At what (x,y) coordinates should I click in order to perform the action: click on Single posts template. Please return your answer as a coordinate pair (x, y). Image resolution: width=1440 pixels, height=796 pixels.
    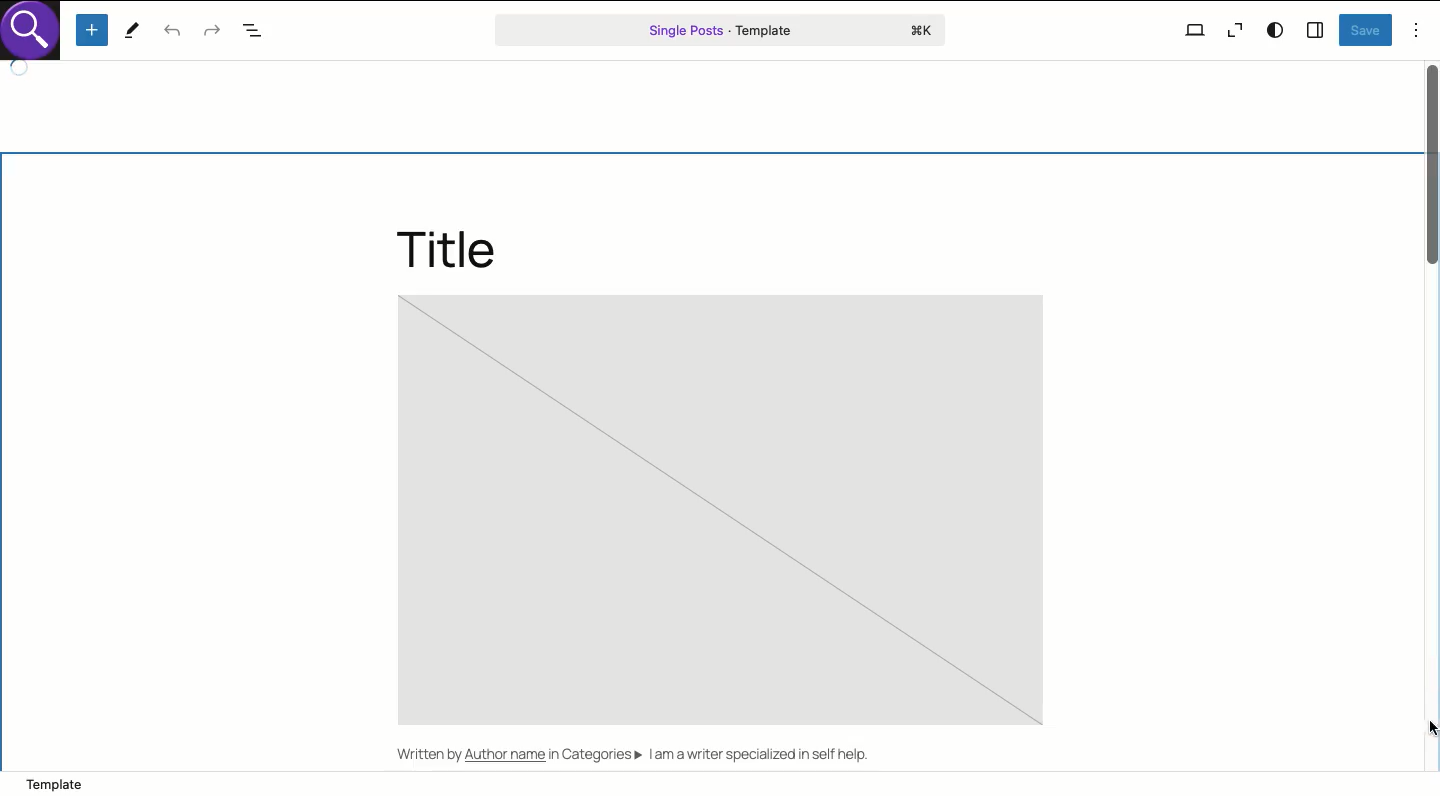
    Looking at the image, I should click on (722, 30).